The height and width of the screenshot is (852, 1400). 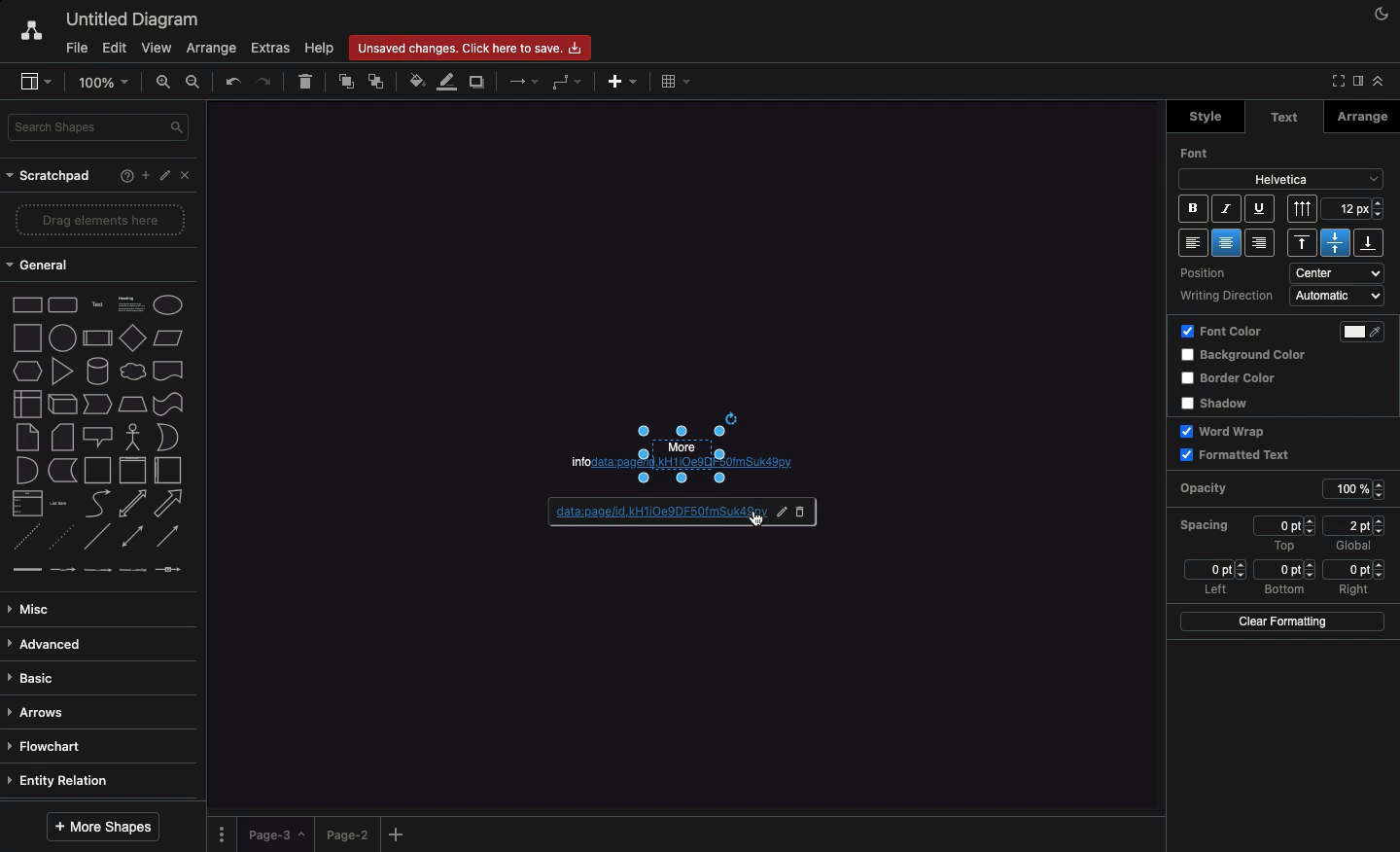 I want to click on Edit, so click(x=114, y=49).